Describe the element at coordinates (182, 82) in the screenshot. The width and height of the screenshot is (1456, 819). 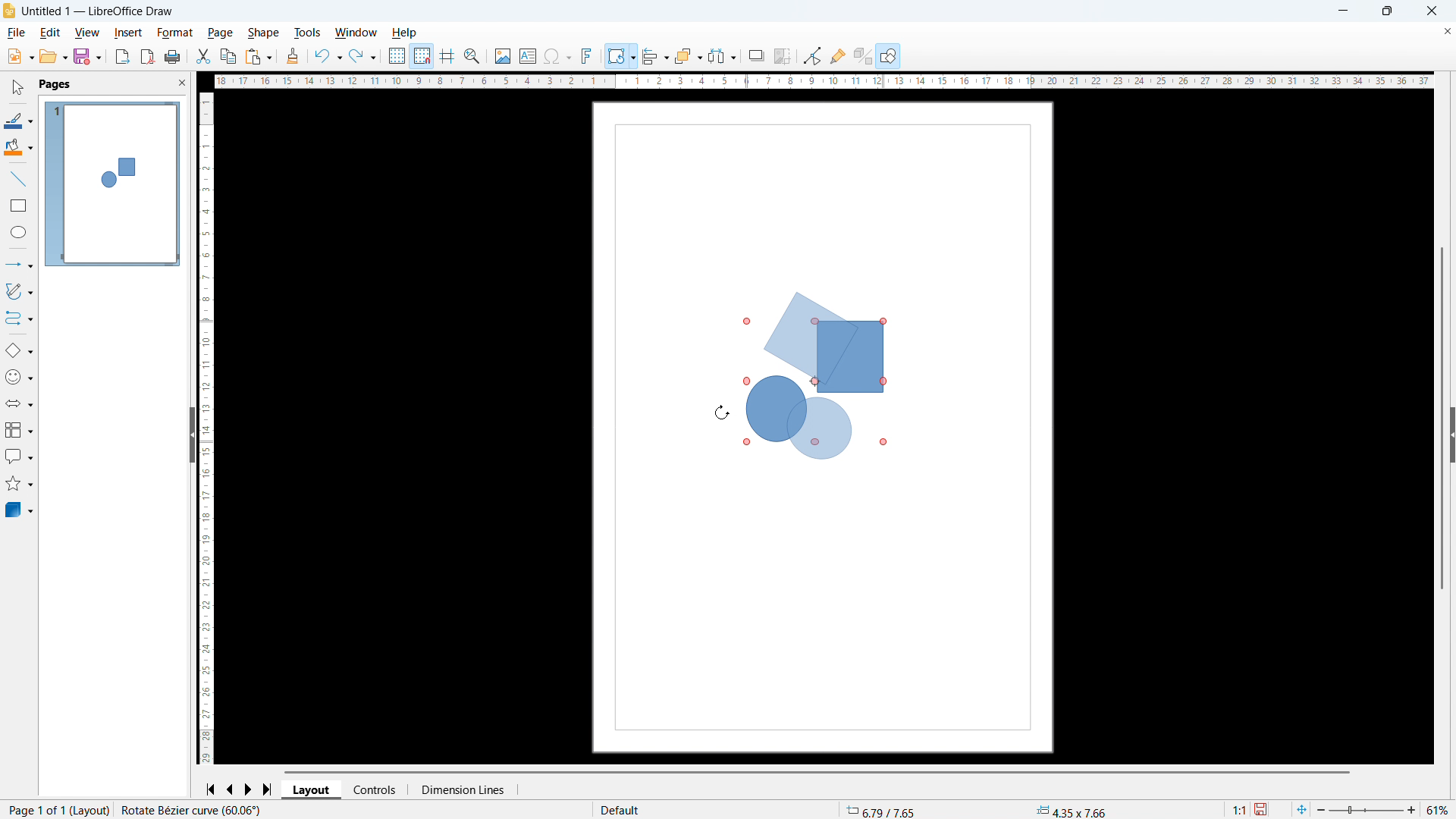
I see `Close PANE ` at that location.